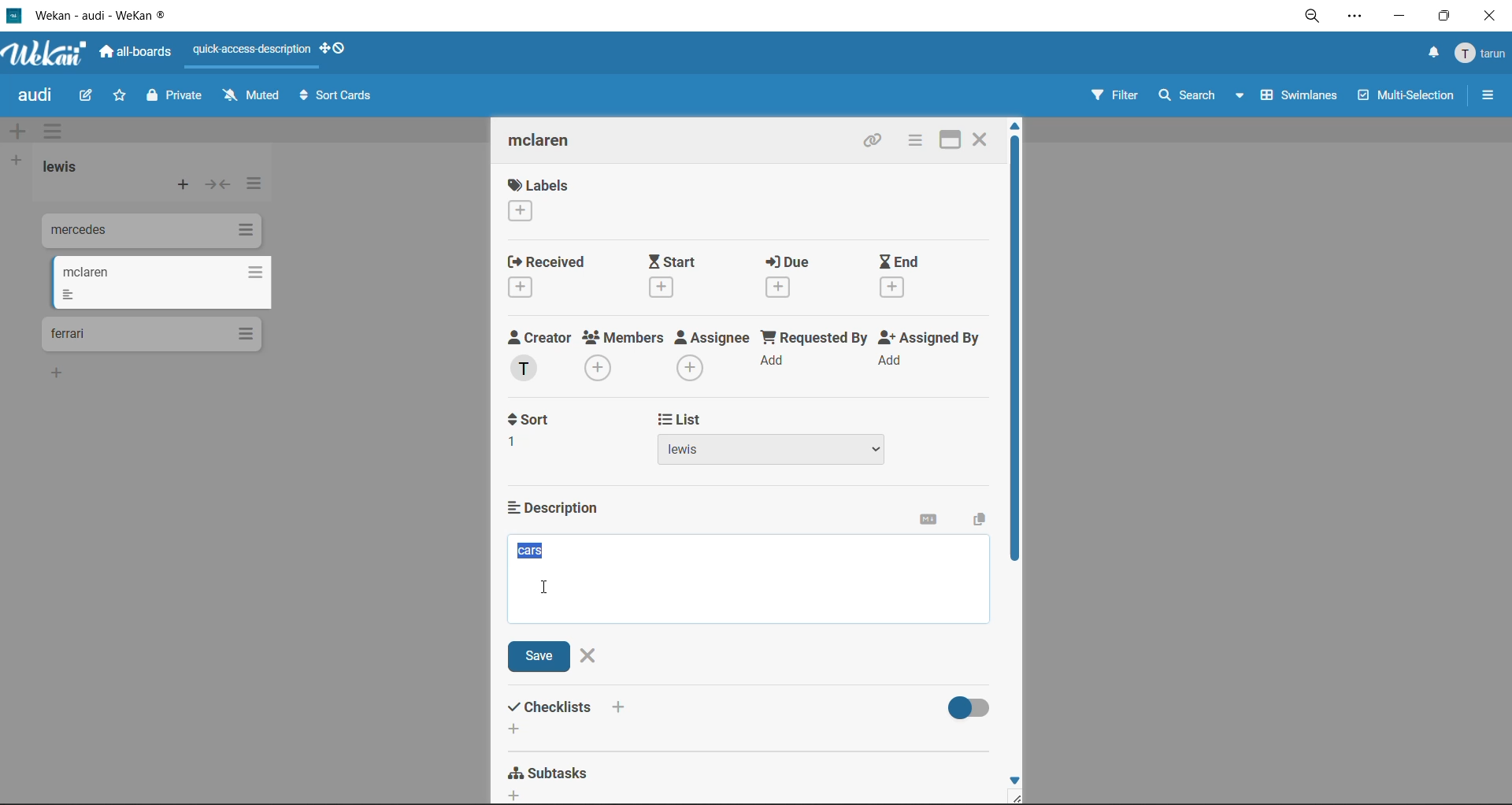 The height and width of the screenshot is (805, 1512). What do you see at coordinates (217, 184) in the screenshot?
I see `collapse` at bounding box center [217, 184].